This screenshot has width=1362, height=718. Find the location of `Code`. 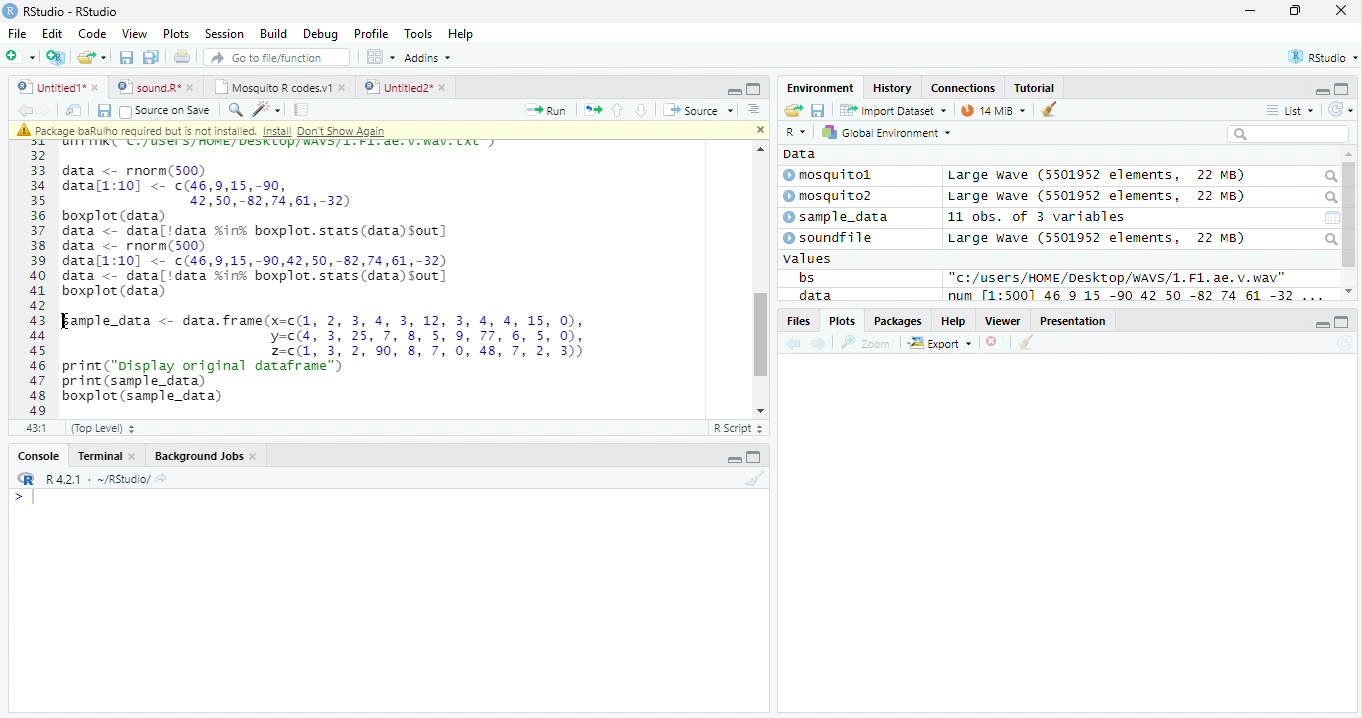

Code is located at coordinates (92, 34).